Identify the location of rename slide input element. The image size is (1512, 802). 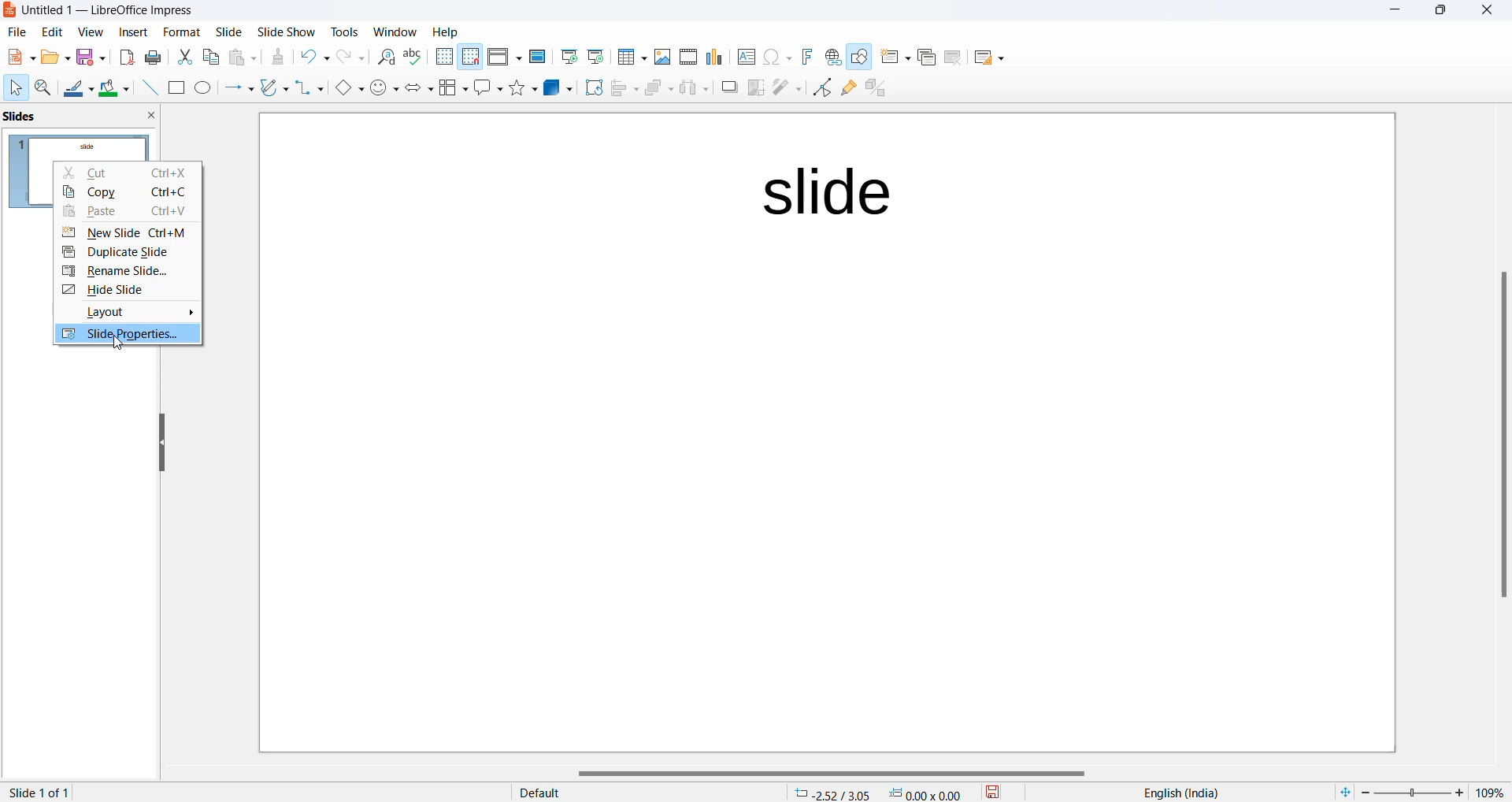
(124, 274).